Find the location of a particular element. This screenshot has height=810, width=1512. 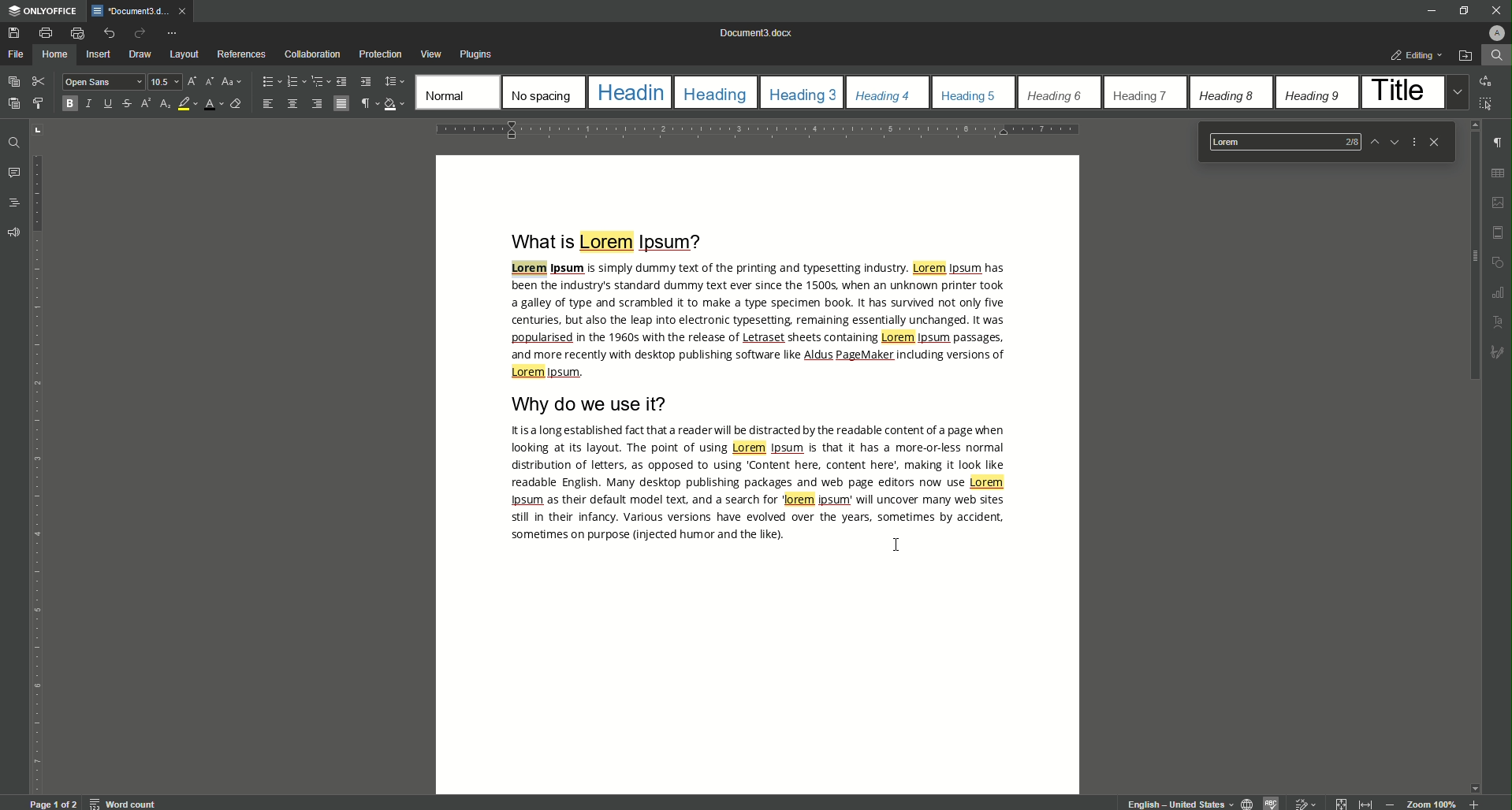

spelling check is located at coordinates (1273, 802).